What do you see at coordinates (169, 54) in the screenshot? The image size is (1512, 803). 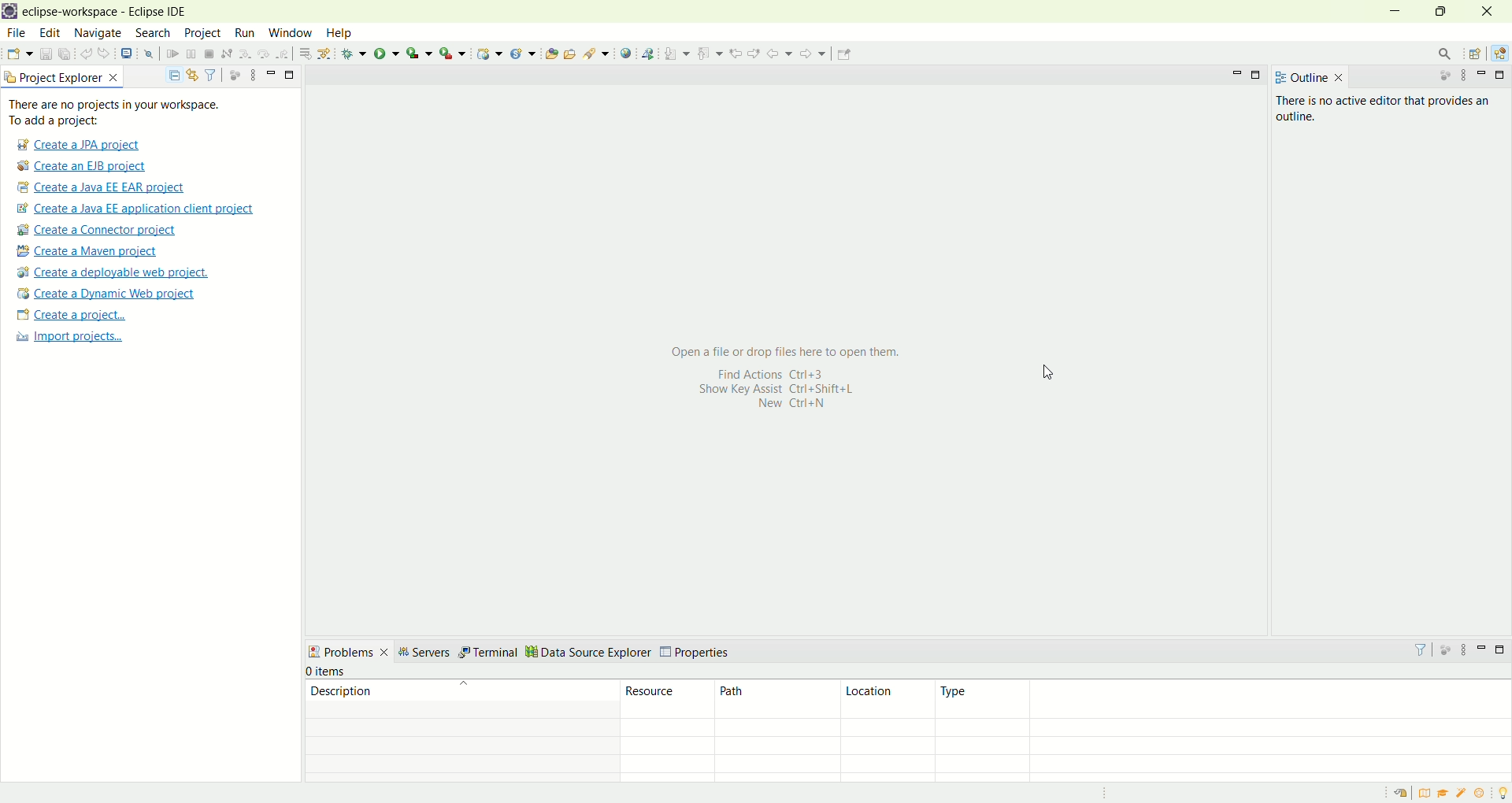 I see `resume` at bounding box center [169, 54].